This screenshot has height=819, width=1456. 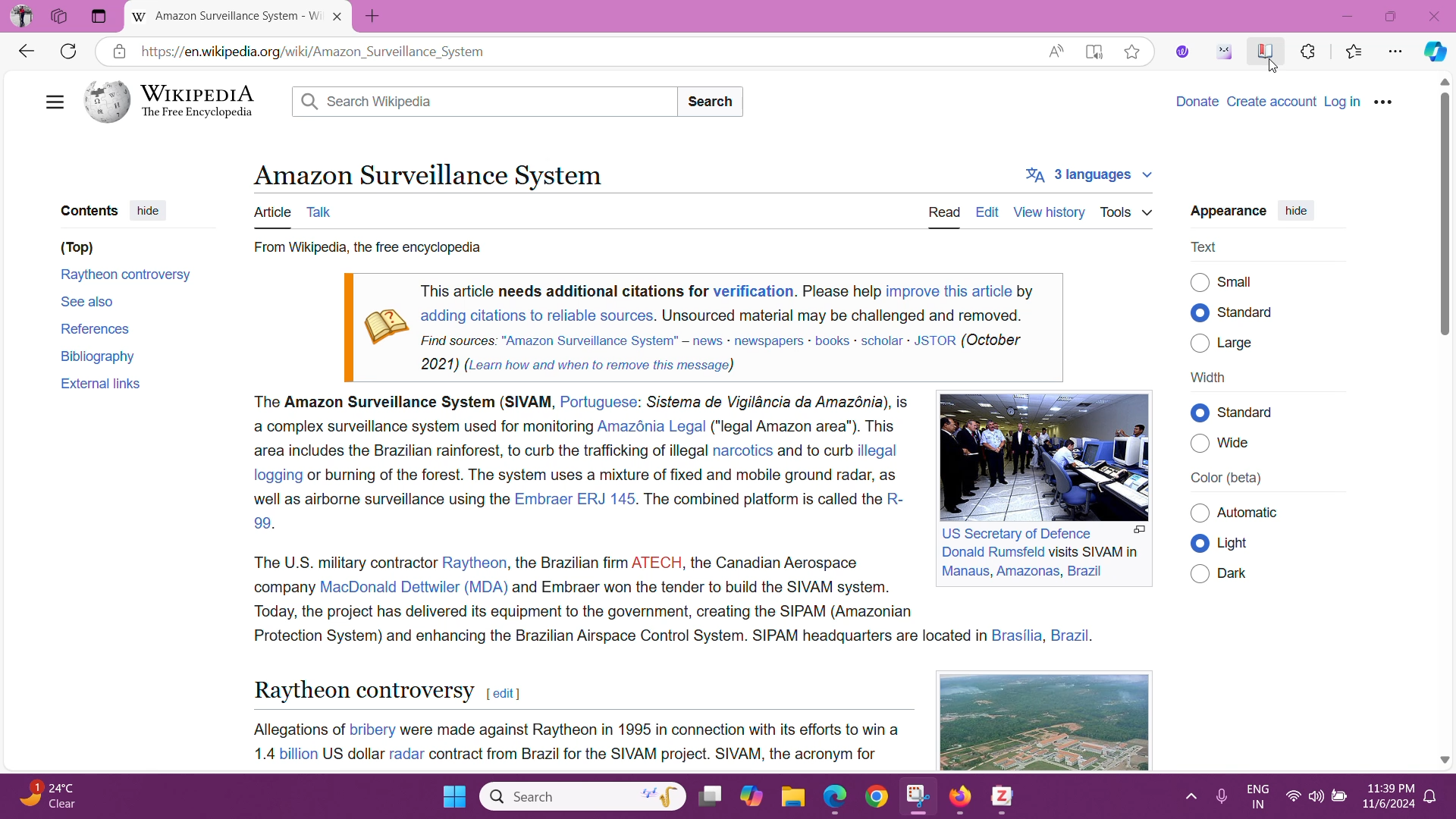 I want to click on See also, so click(x=88, y=300).